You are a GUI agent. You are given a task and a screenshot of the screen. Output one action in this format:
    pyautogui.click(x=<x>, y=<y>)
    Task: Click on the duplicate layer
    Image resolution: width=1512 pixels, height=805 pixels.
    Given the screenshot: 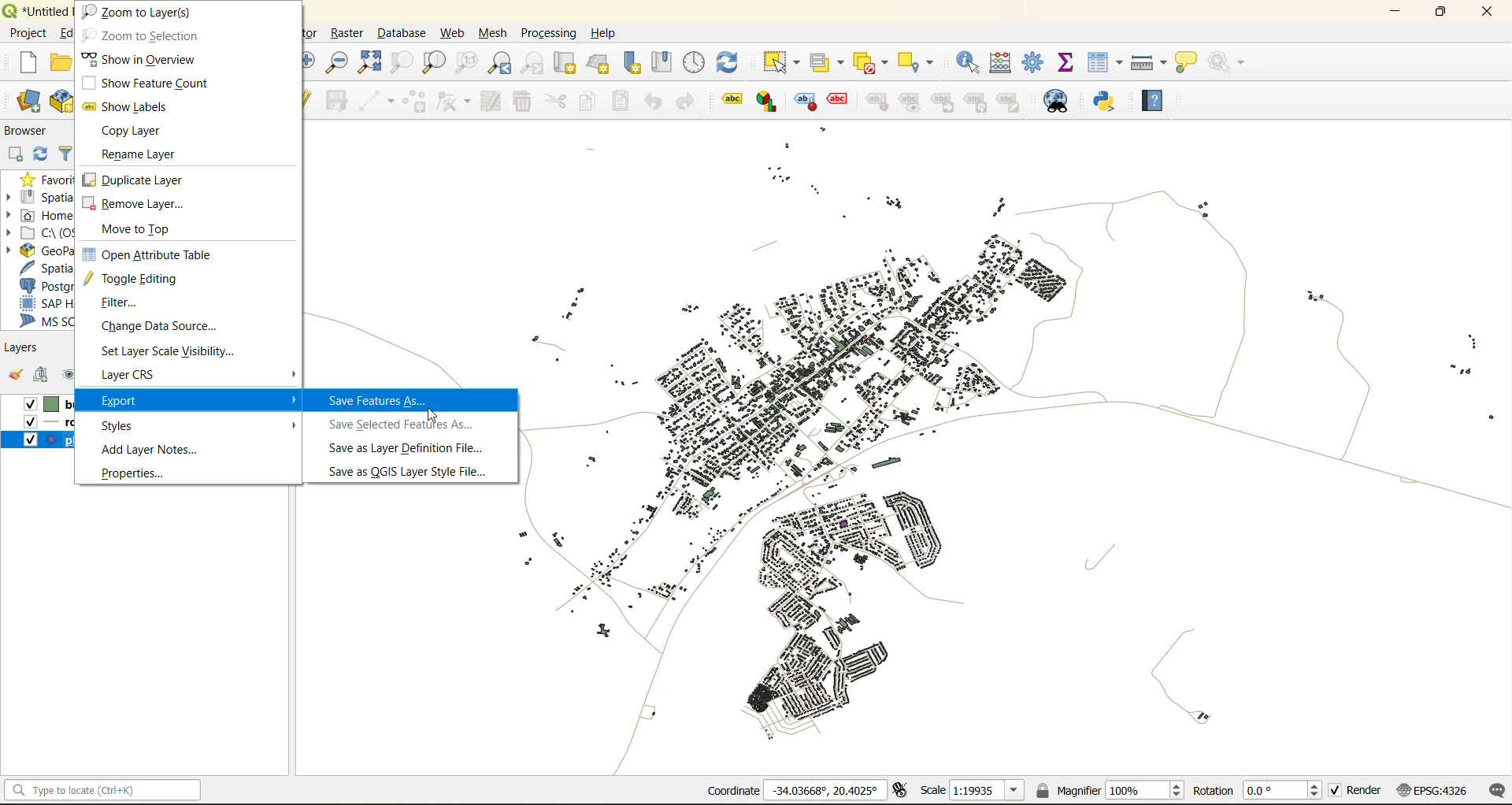 What is the action you would take?
    pyautogui.click(x=138, y=180)
    